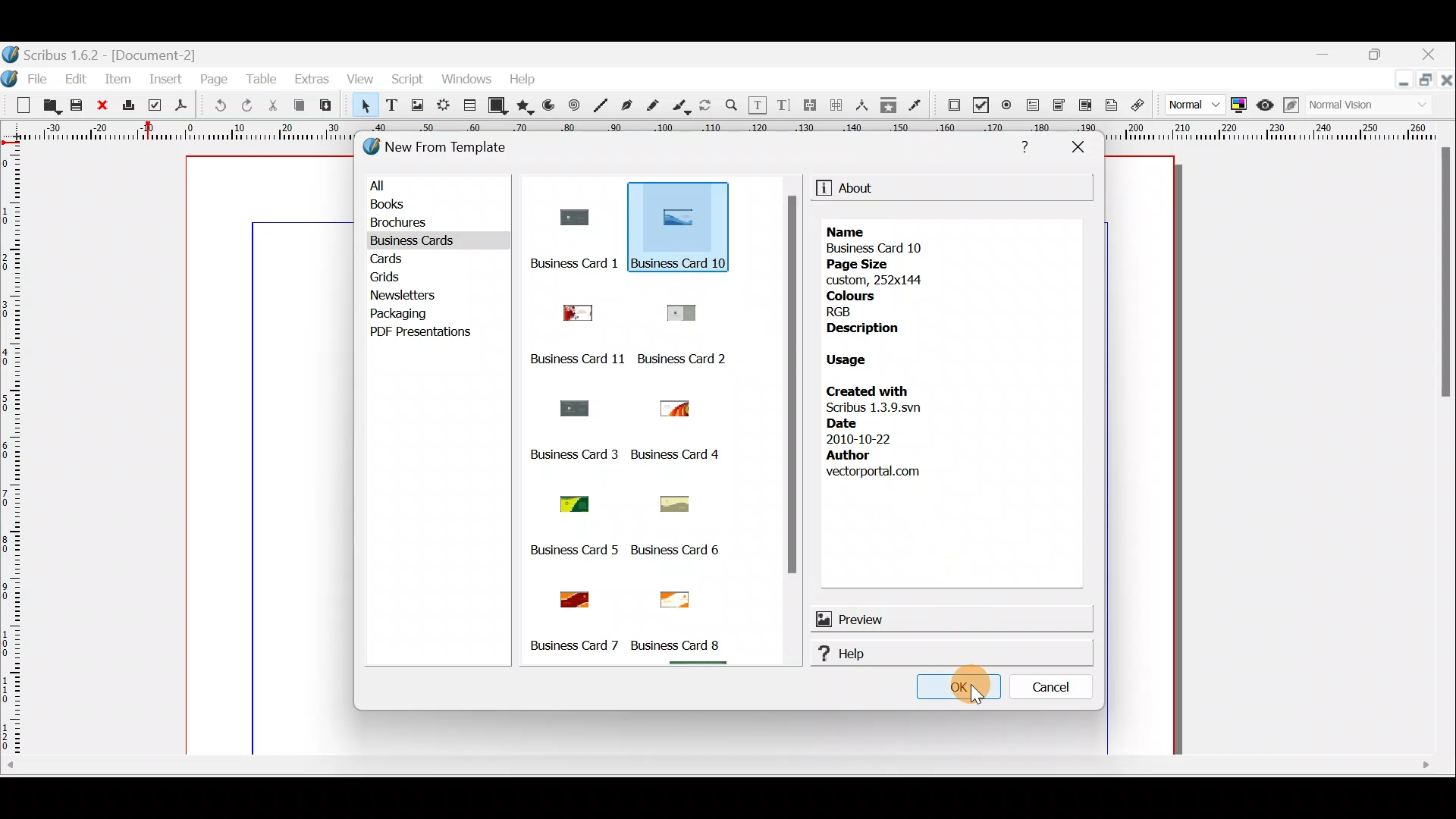 This screenshot has width=1456, height=819. I want to click on Newsletters, so click(403, 295).